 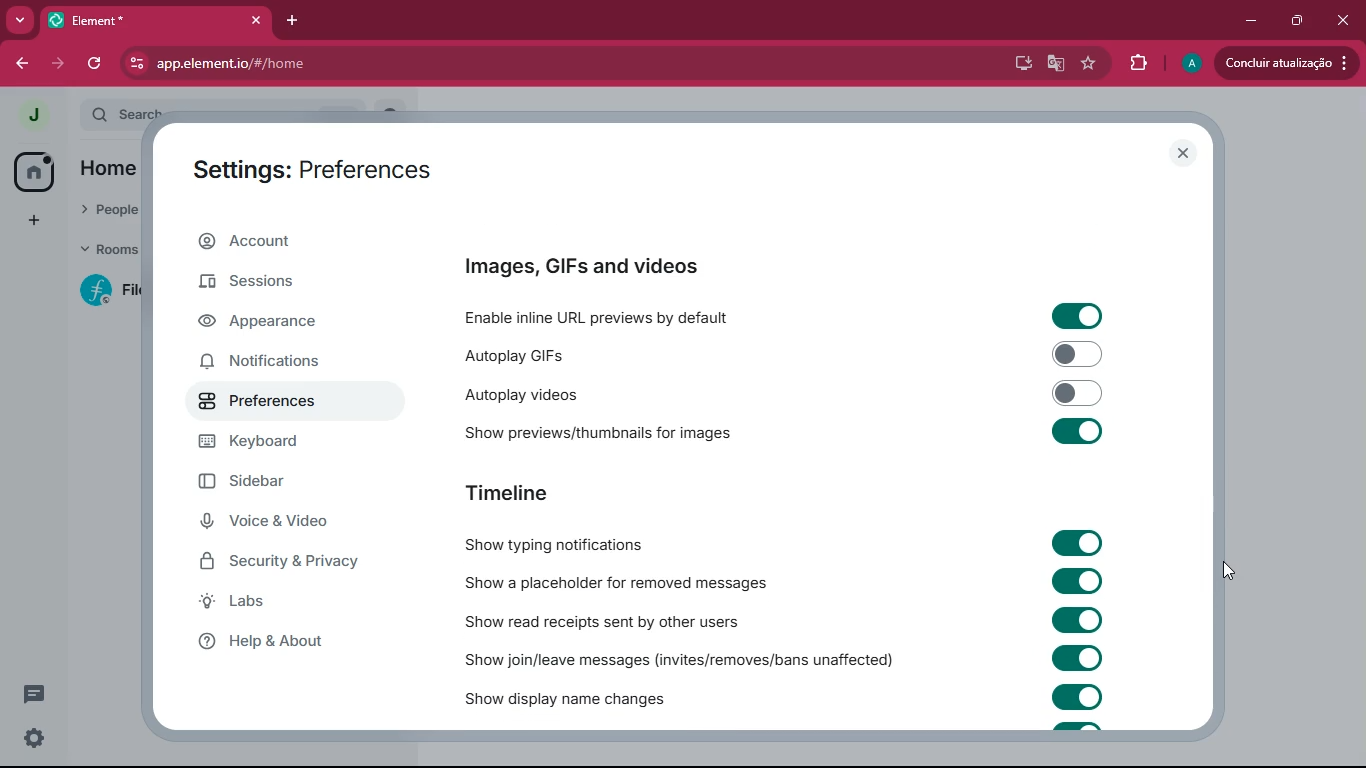 I want to click on toggle on/off, so click(x=1077, y=431).